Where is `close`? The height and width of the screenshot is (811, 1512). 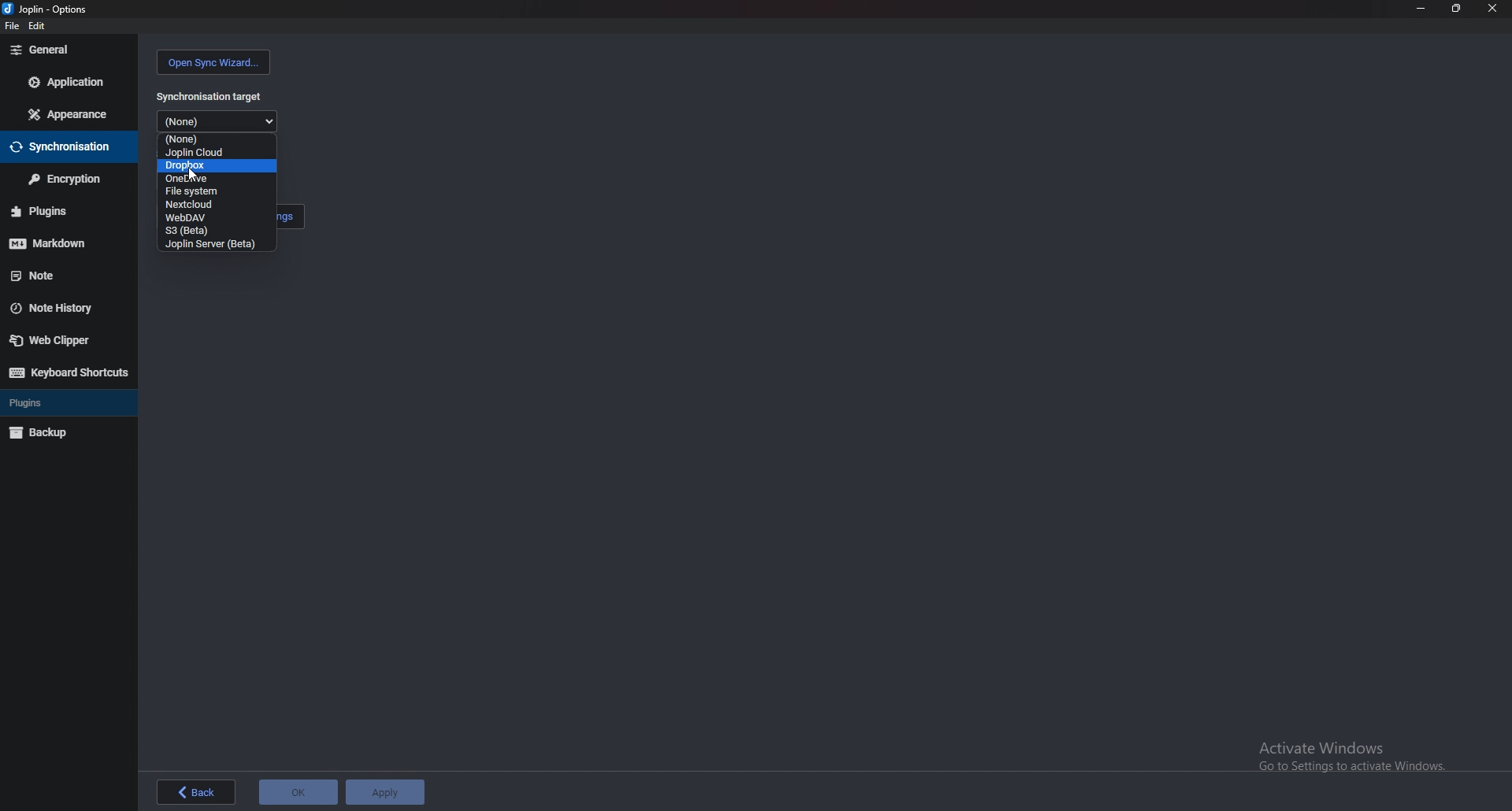
close is located at coordinates (1492, 9).